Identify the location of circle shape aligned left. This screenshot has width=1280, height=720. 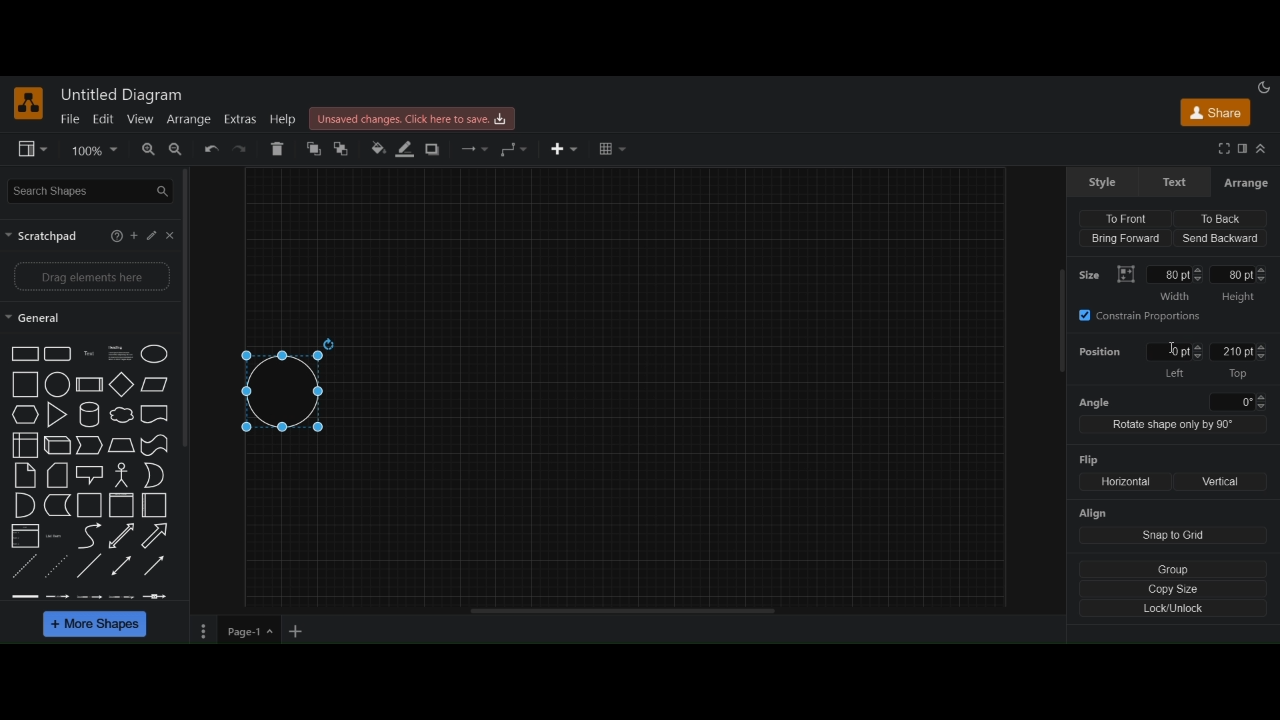
(289, 390).